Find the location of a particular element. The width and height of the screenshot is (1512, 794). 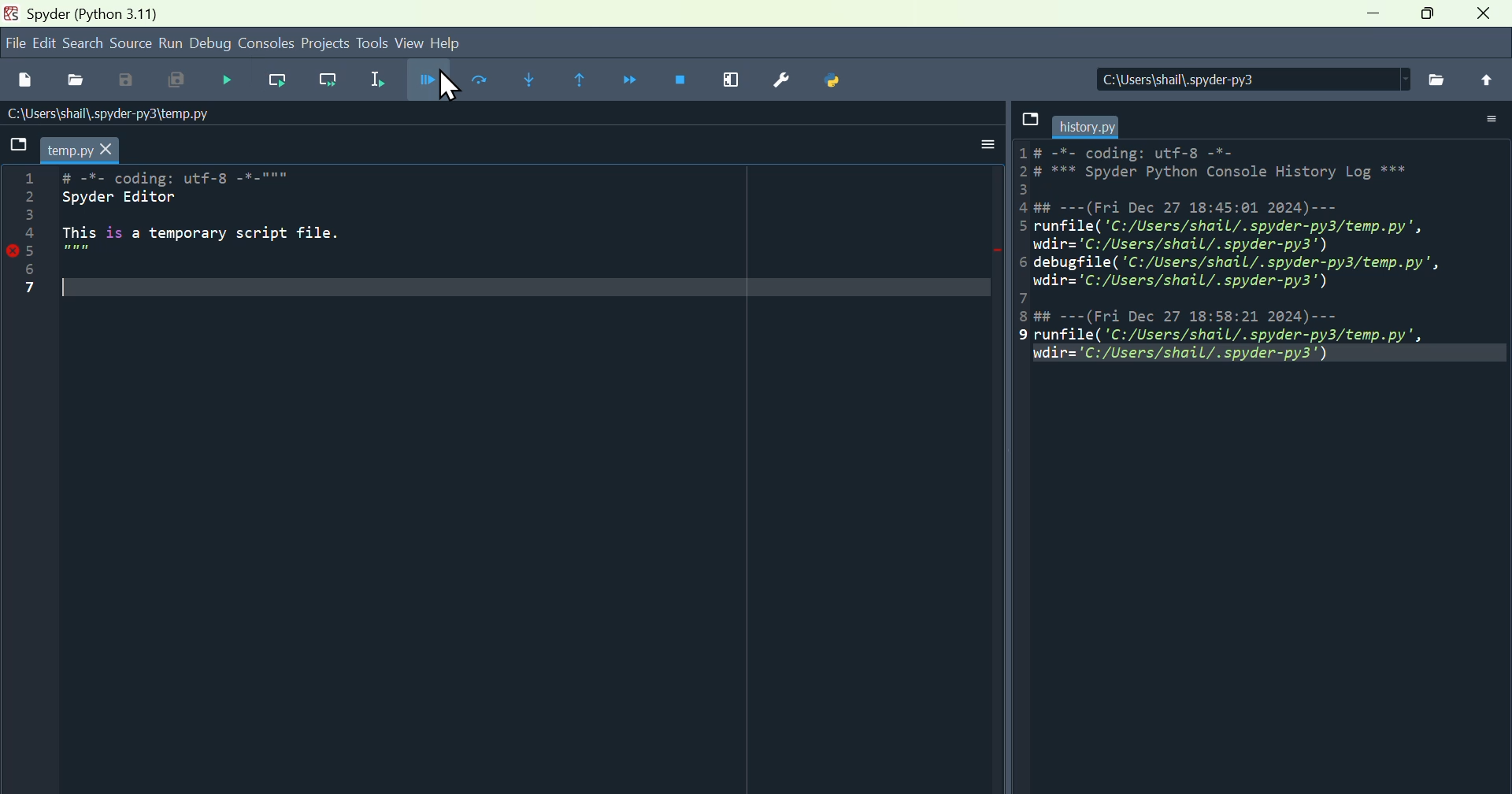

minimise is located at coordinates (1369, 14).